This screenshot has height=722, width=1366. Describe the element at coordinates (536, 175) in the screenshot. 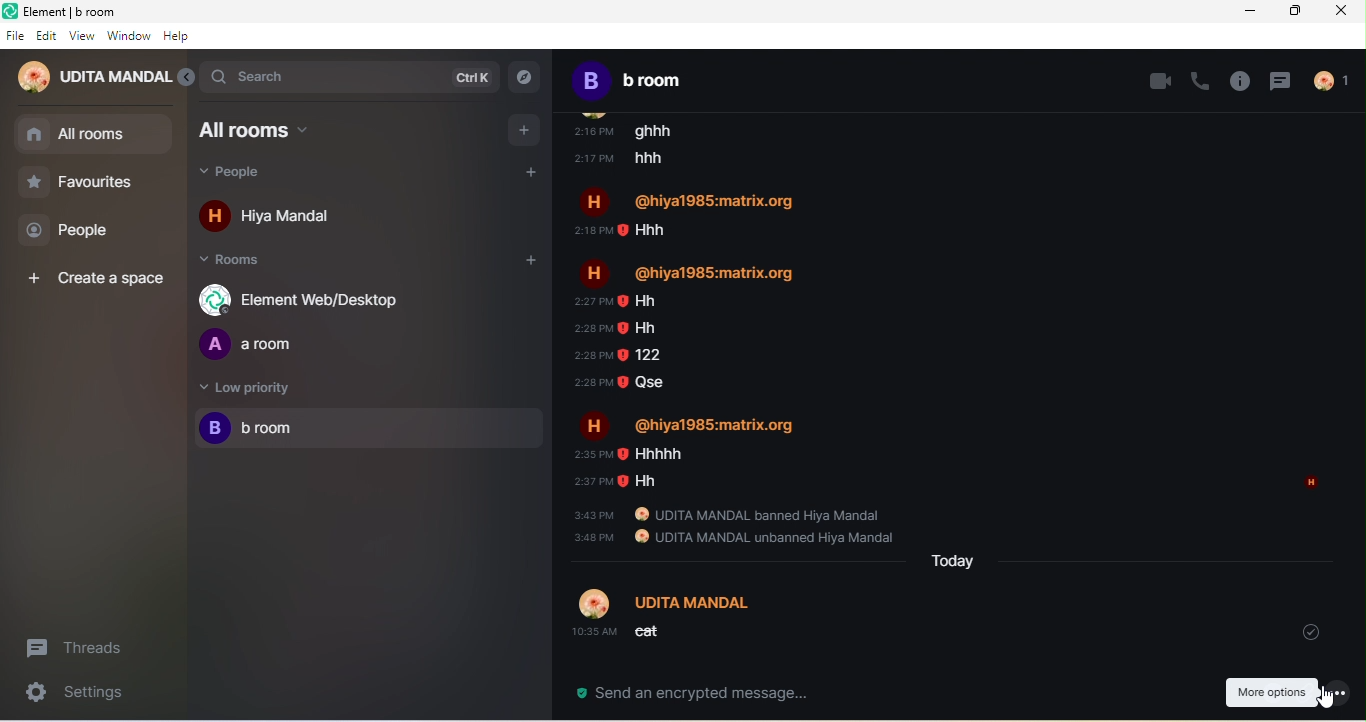

I see `add people` at that location.